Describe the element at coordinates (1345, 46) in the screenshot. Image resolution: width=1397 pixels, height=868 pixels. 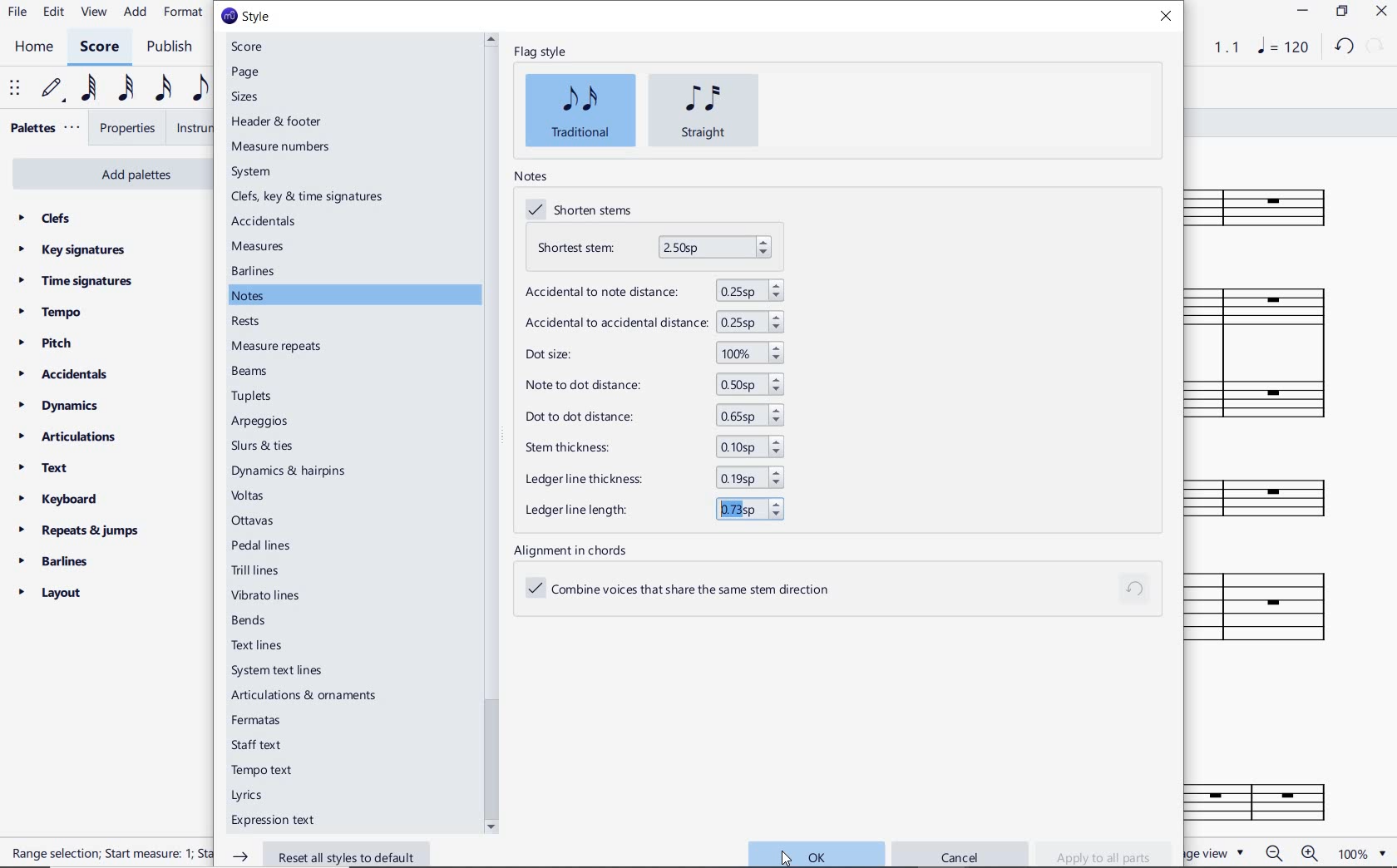
I see `UNDO` at that location.